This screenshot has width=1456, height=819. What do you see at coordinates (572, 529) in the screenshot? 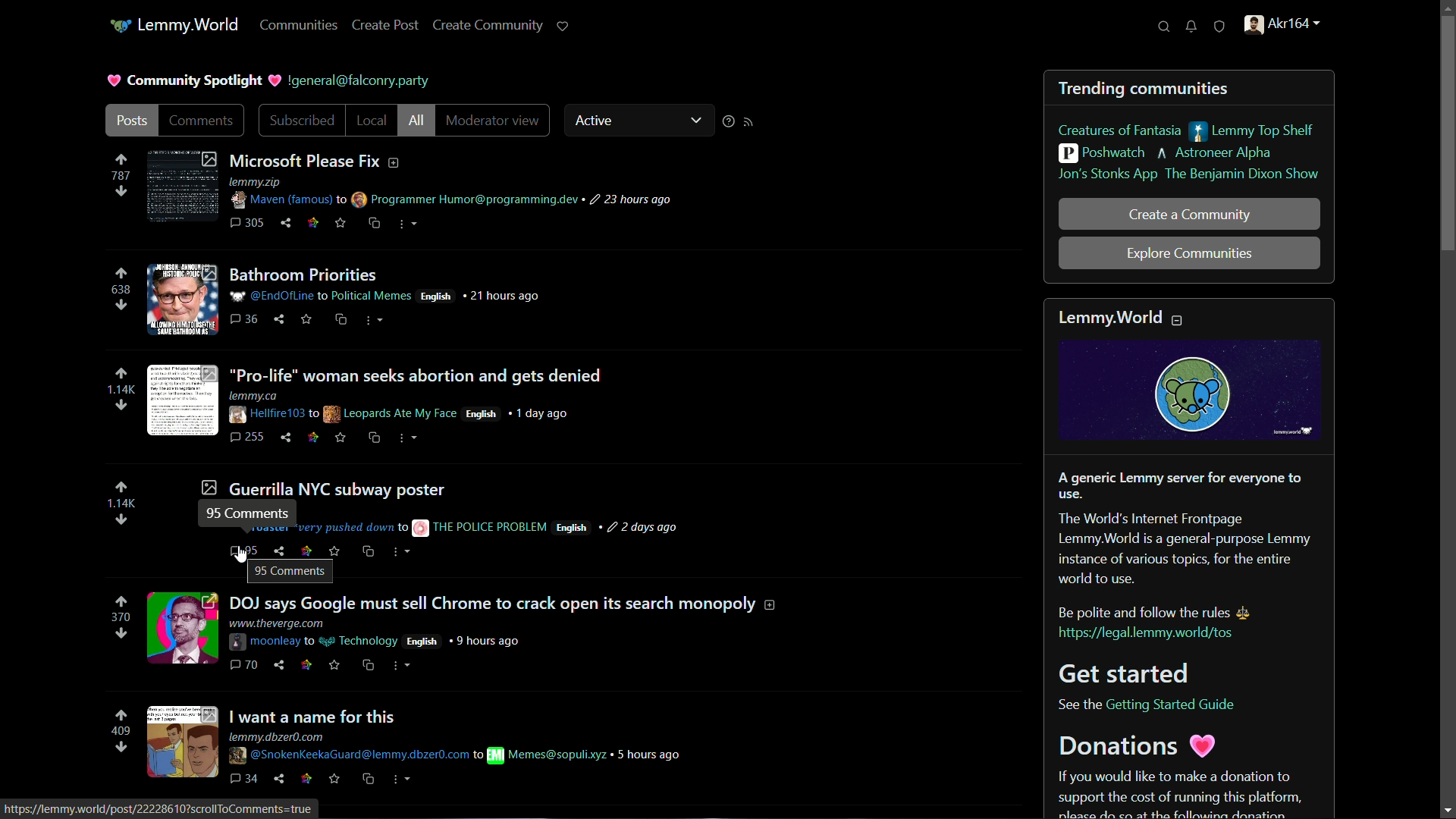
I see `language` at bounding box center [572, 529].